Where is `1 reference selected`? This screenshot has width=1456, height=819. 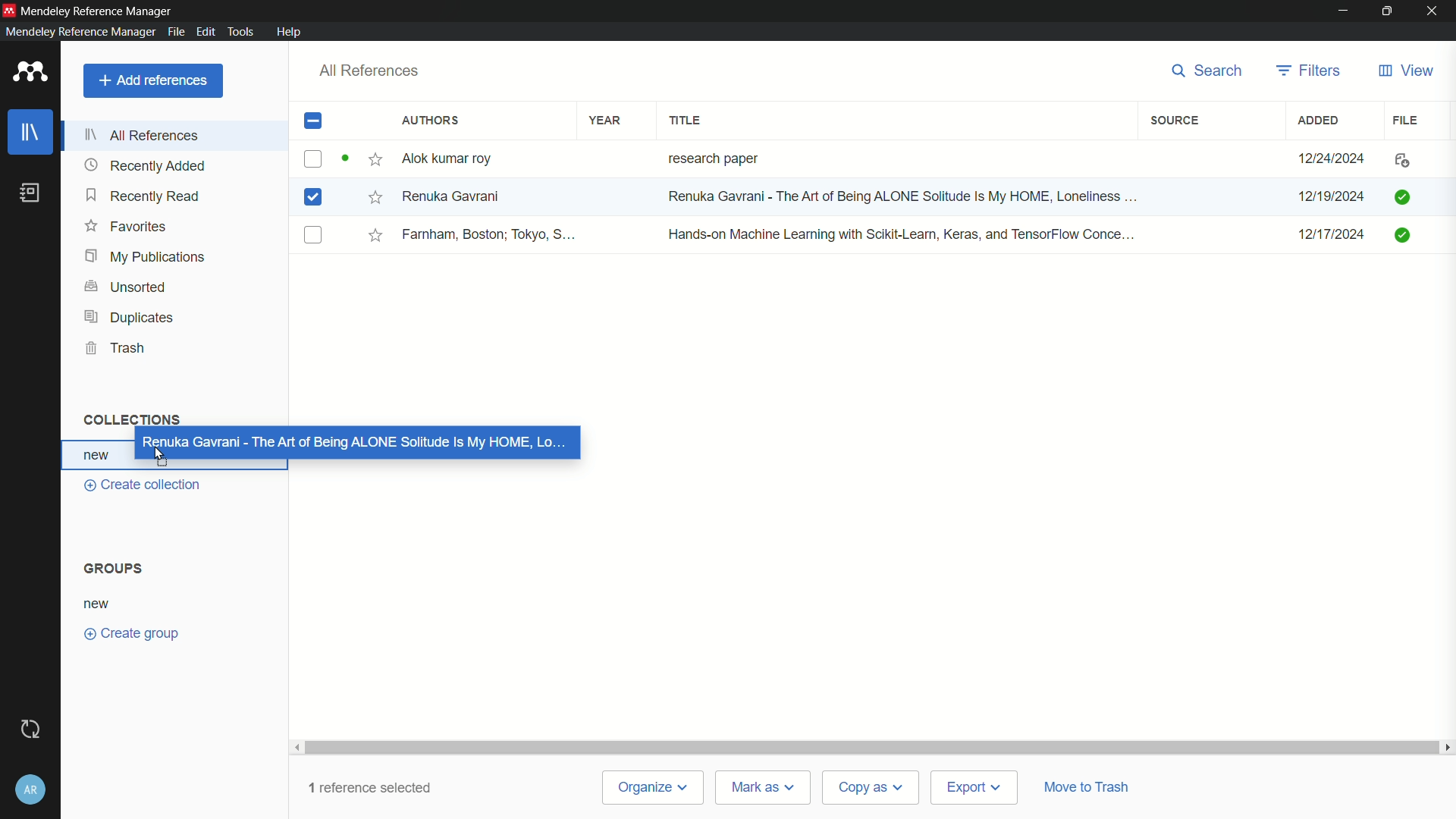 1 reference selected is located at coordinates (373, 786).